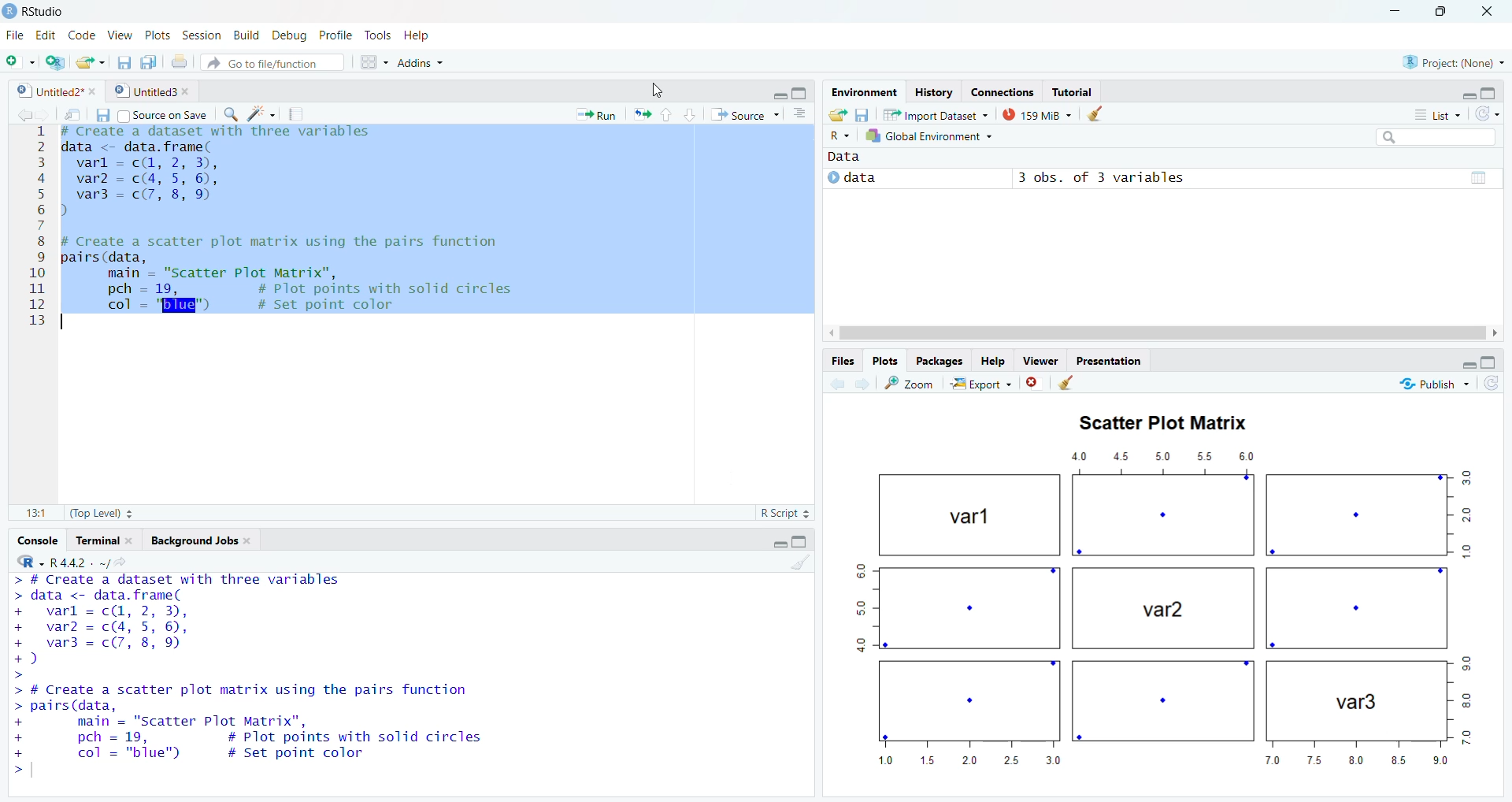 The image size is (1512, 802). Describe the element at coordinates (1041, 362) in the screenshot. I see ` Viewer` at that location.